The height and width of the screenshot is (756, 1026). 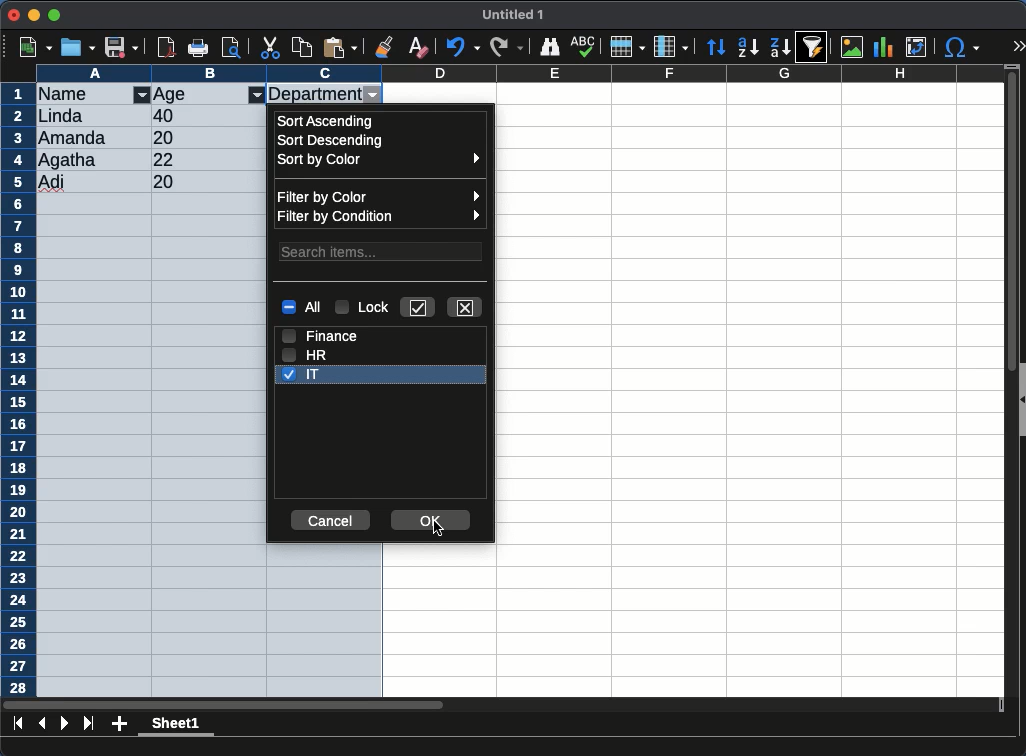 I want to click on rows, so click(x=626, y=47).